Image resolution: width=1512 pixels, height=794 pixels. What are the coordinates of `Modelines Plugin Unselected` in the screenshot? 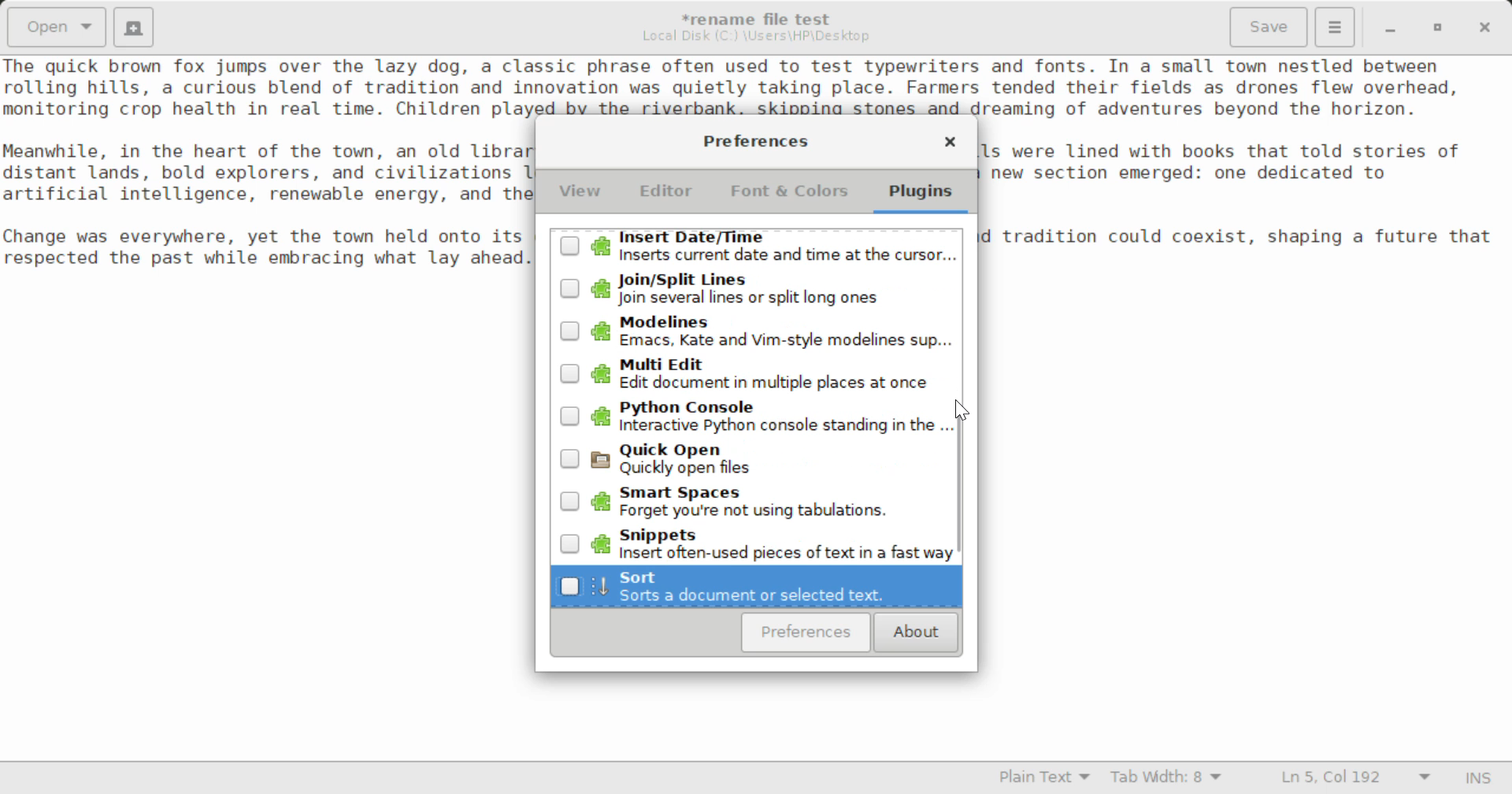 It's located at (754, 332).